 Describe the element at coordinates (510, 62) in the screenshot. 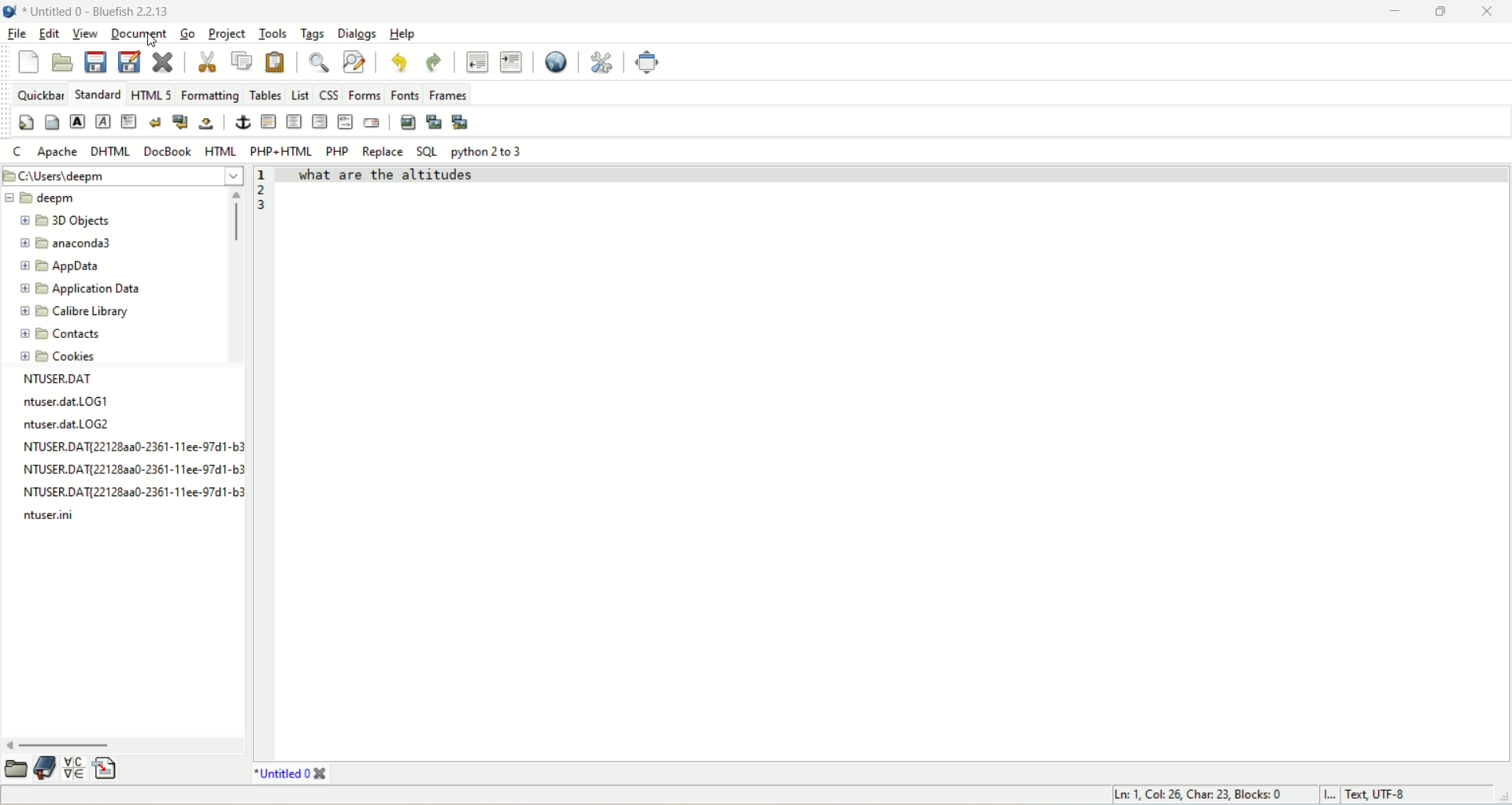

I see `indent` at that location.